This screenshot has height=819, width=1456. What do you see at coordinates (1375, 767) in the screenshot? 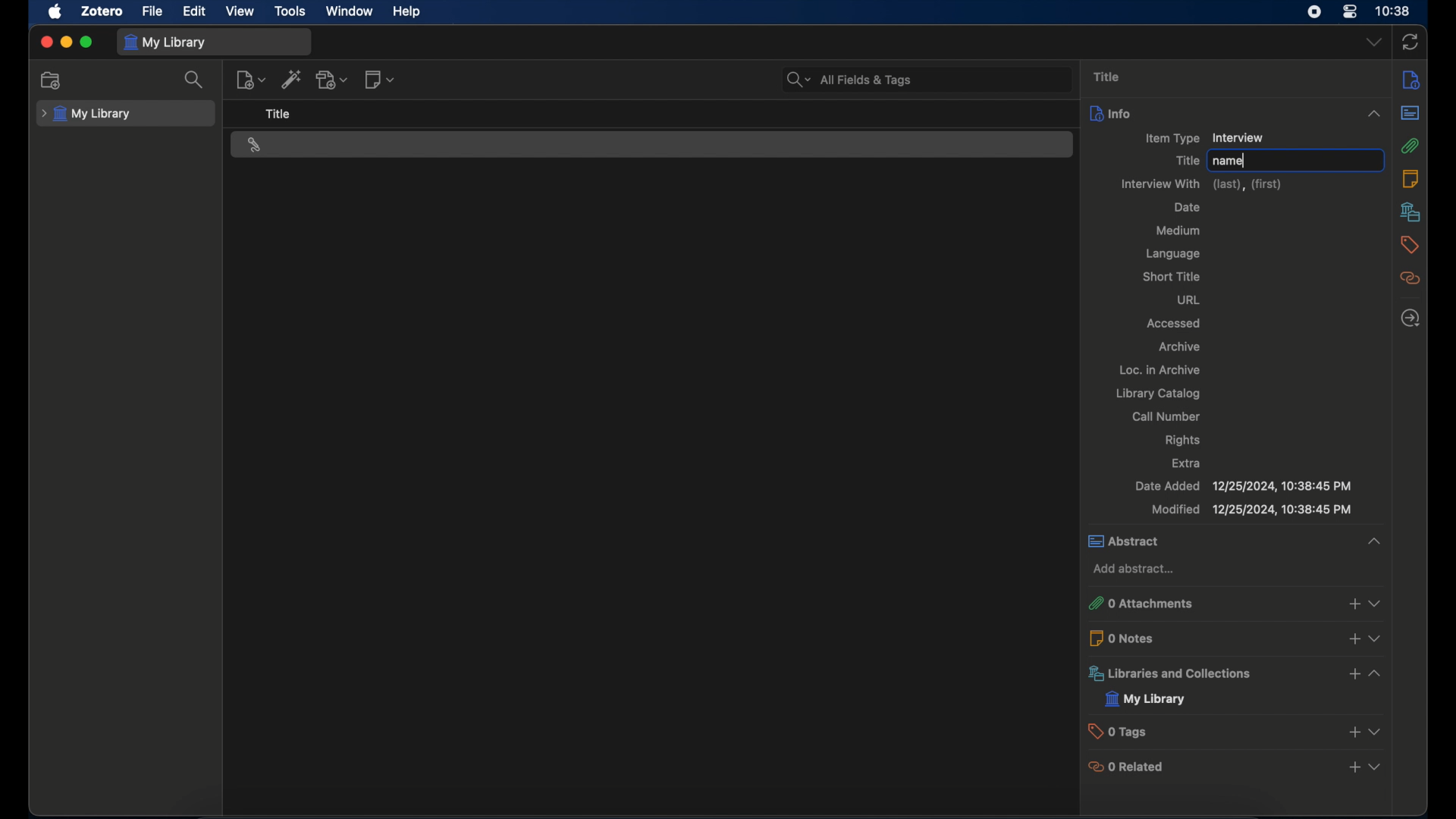
I see `view` at bounding box center [1375, 767].